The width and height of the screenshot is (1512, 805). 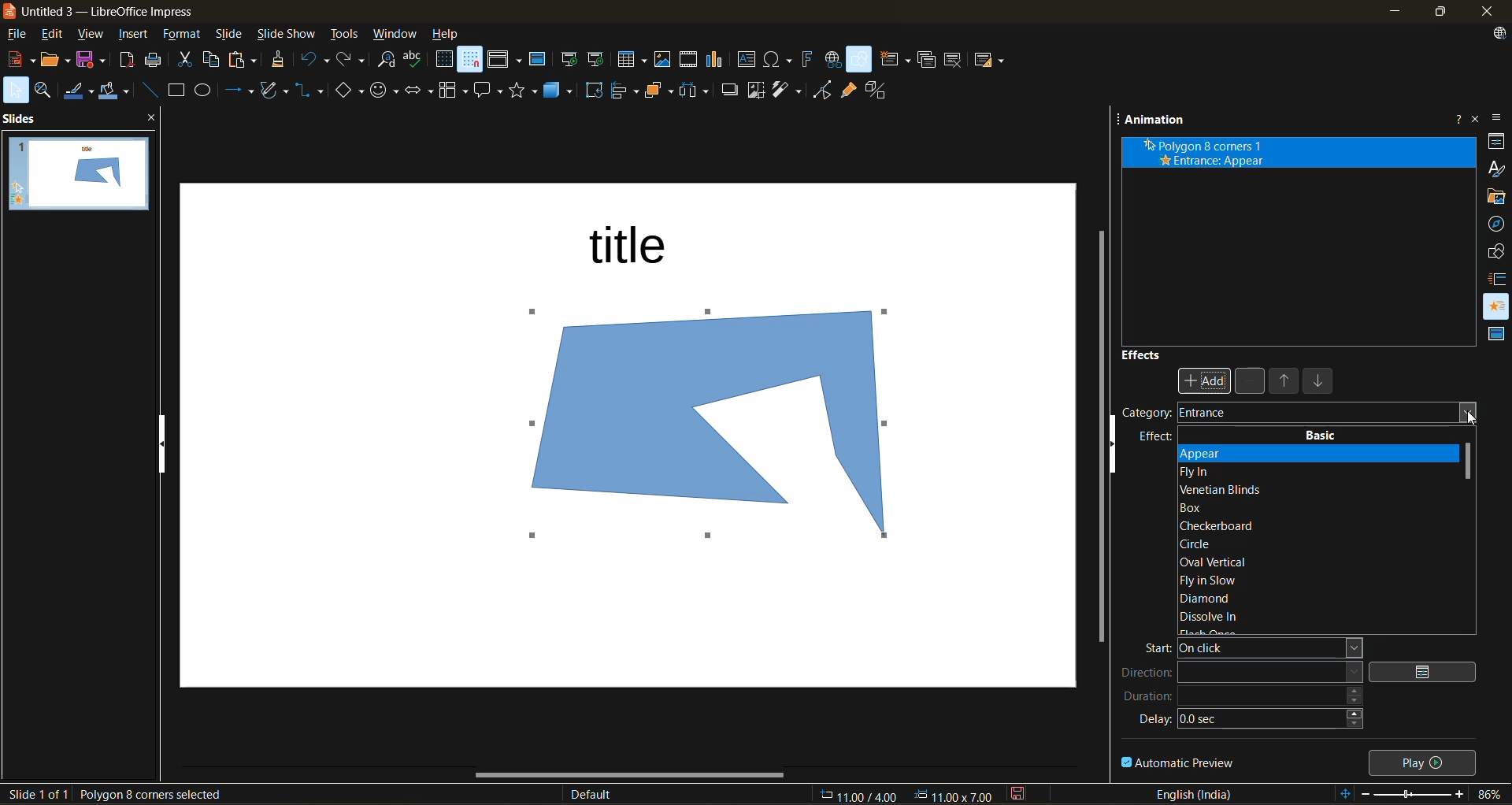 I want to click on block arrows, so click(x=421, y=92).